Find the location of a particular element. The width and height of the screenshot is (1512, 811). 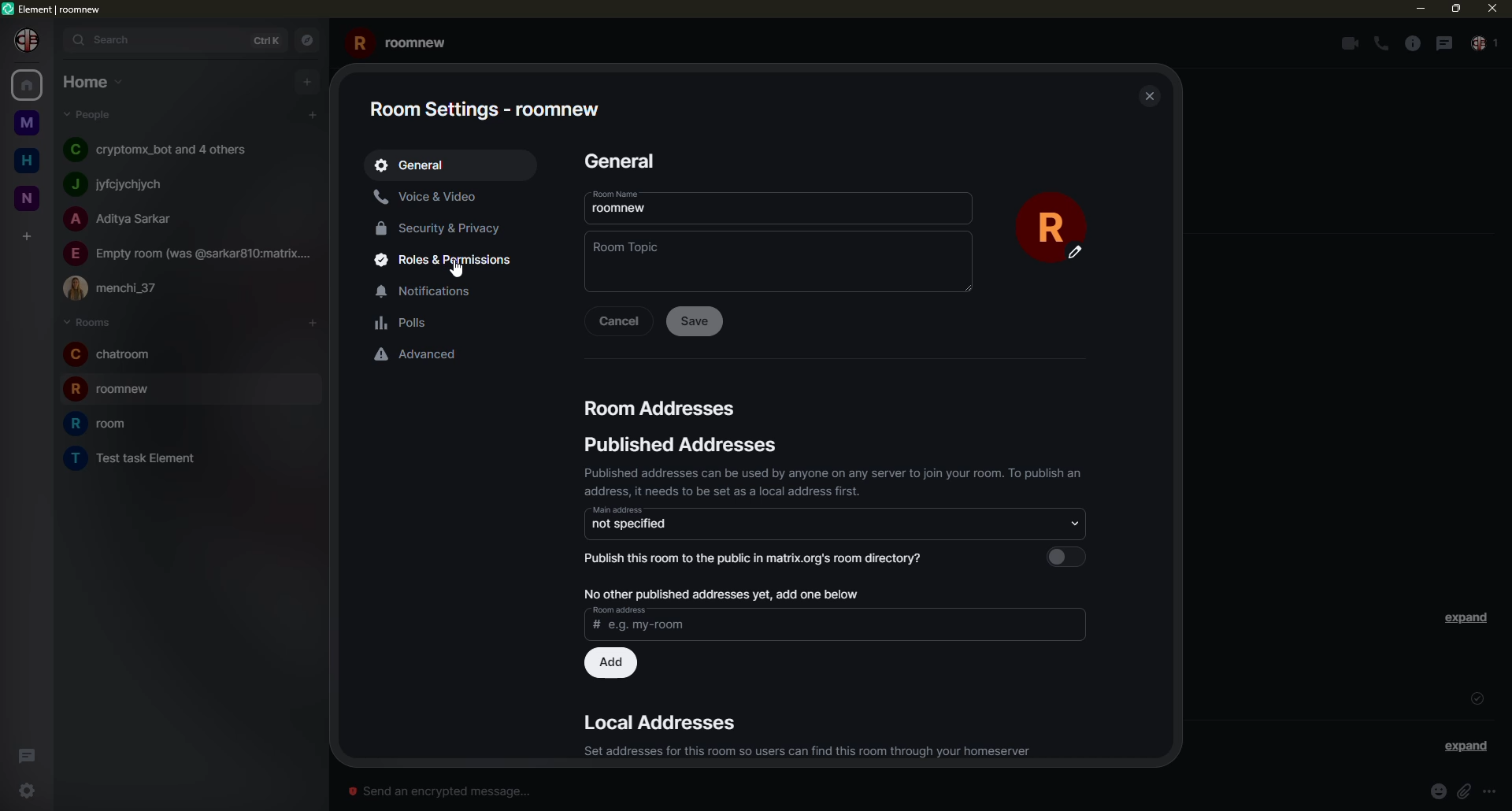

roles is located at coordinates (450, 261).